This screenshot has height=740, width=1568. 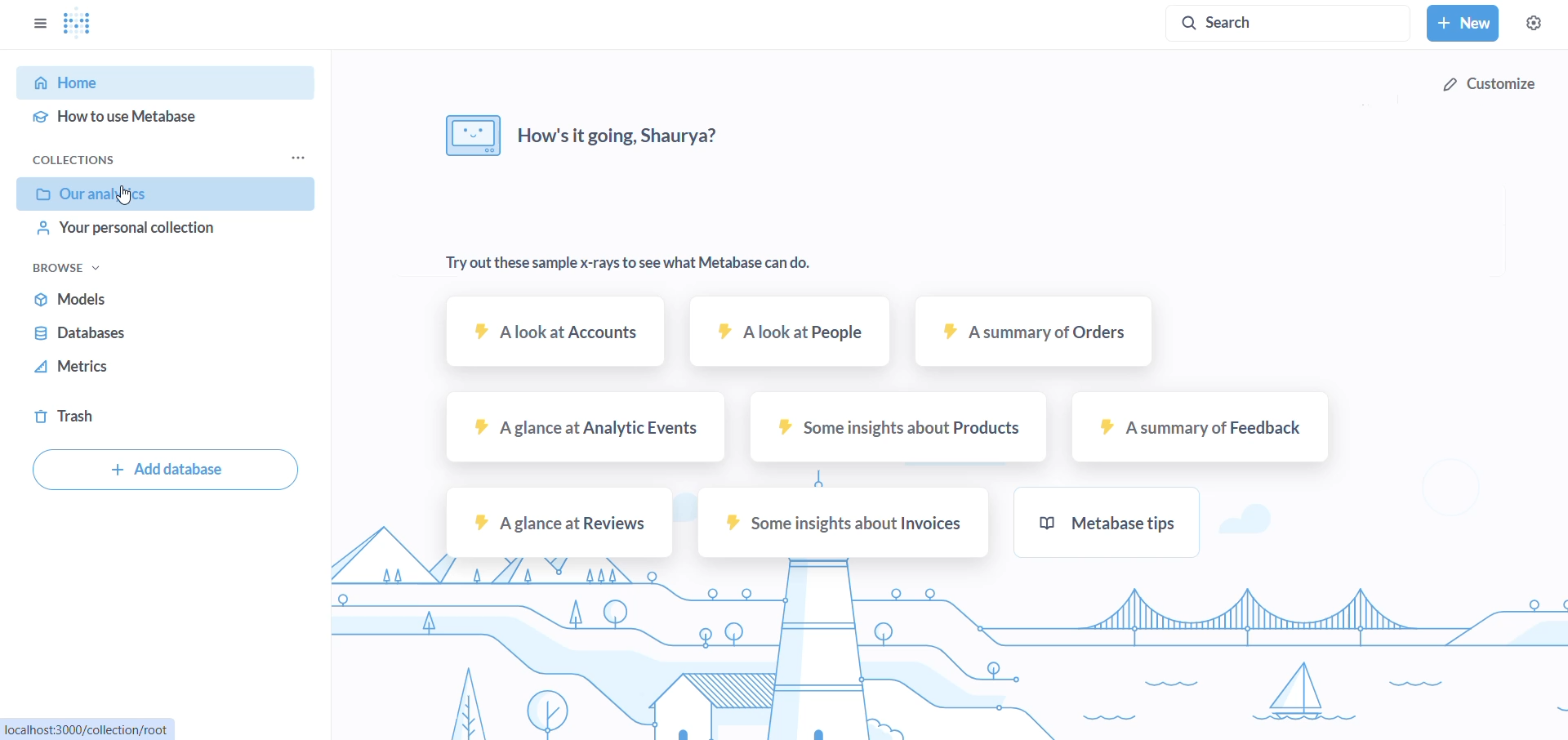 I want to click on Try out these sample x-rays to see what Metabase can do., so click(x=635, y=264).